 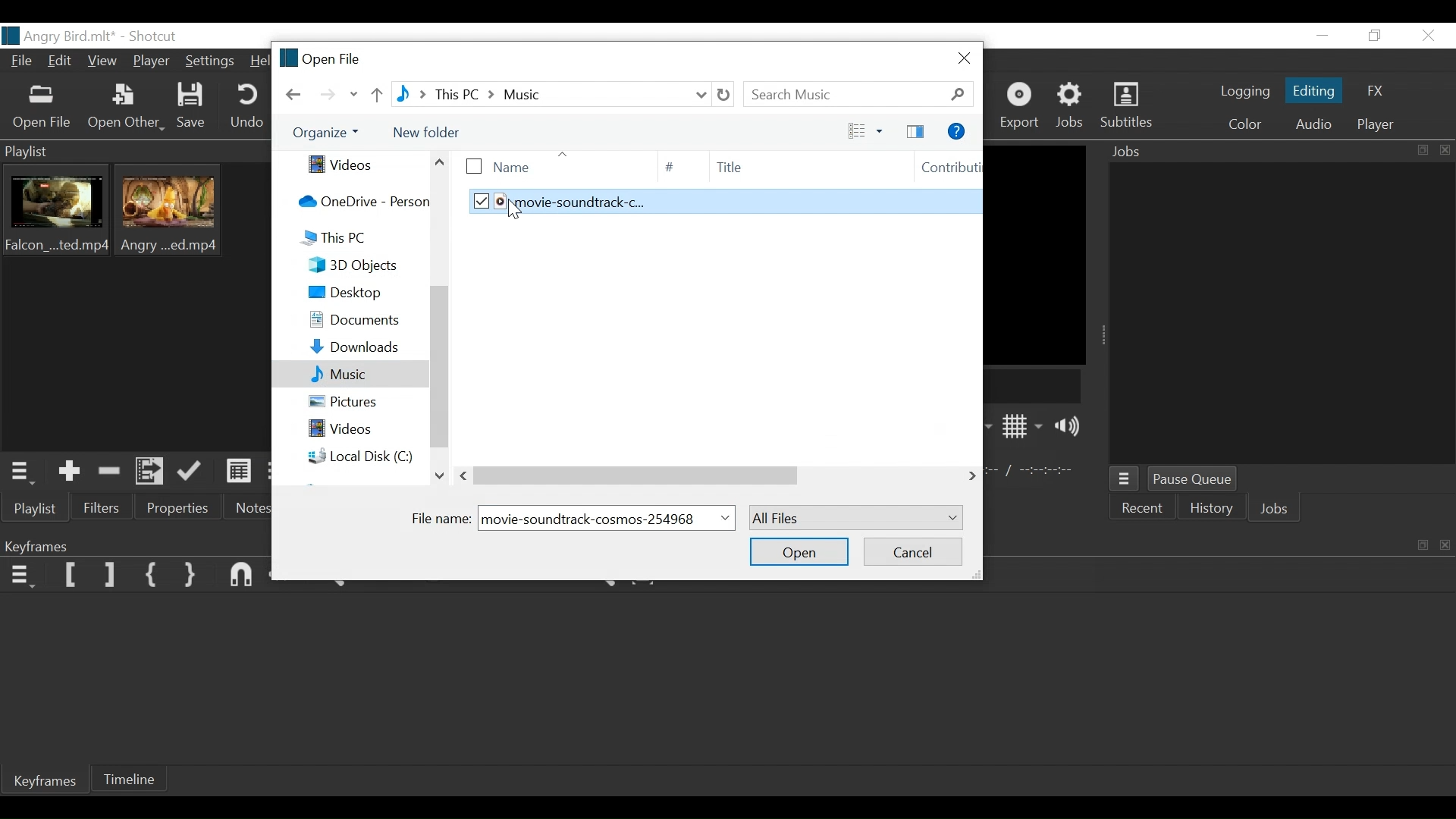 I want to click on Color, so click(x=1244, y=123).